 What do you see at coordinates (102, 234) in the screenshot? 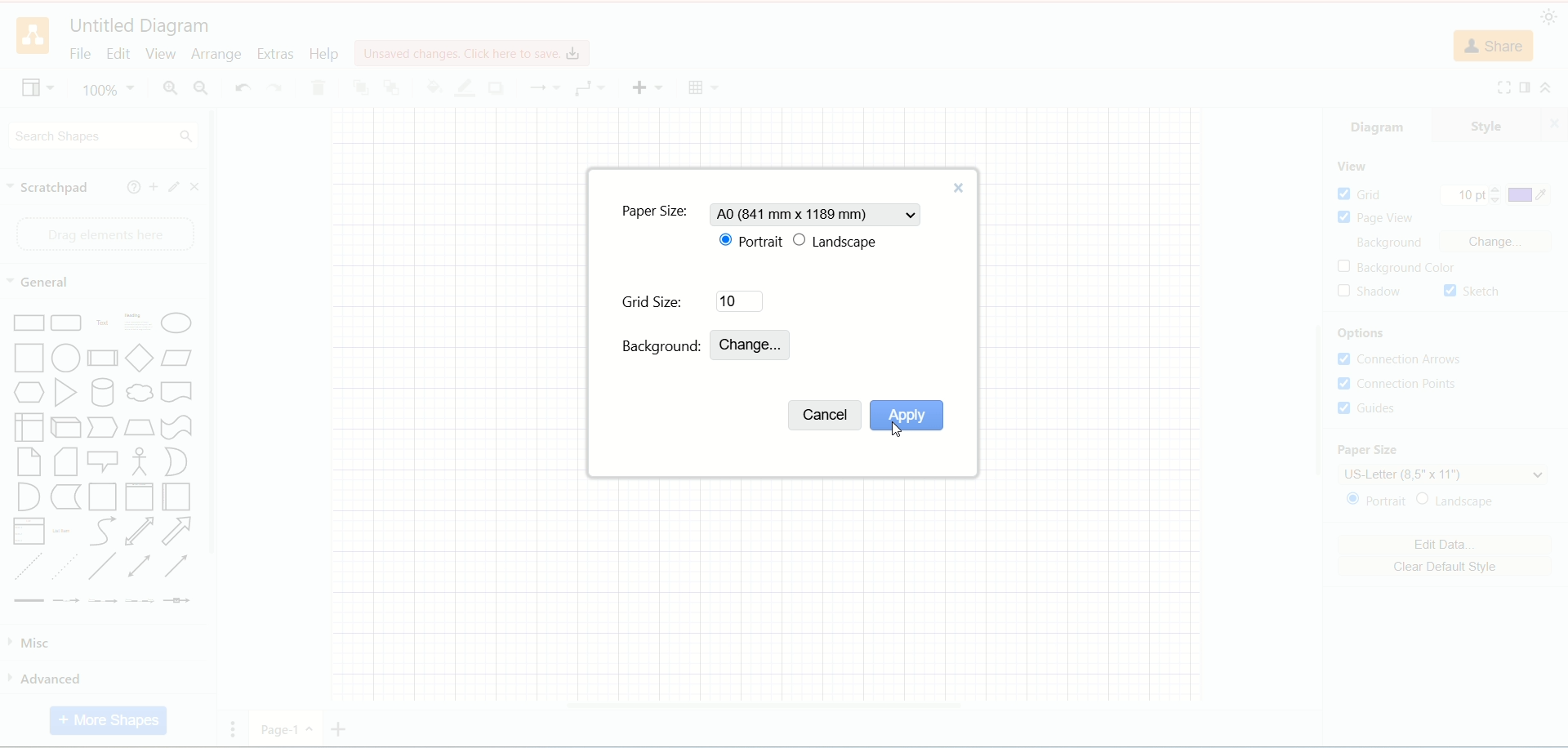
I see `drag element here` at bounding box center [102, 234].